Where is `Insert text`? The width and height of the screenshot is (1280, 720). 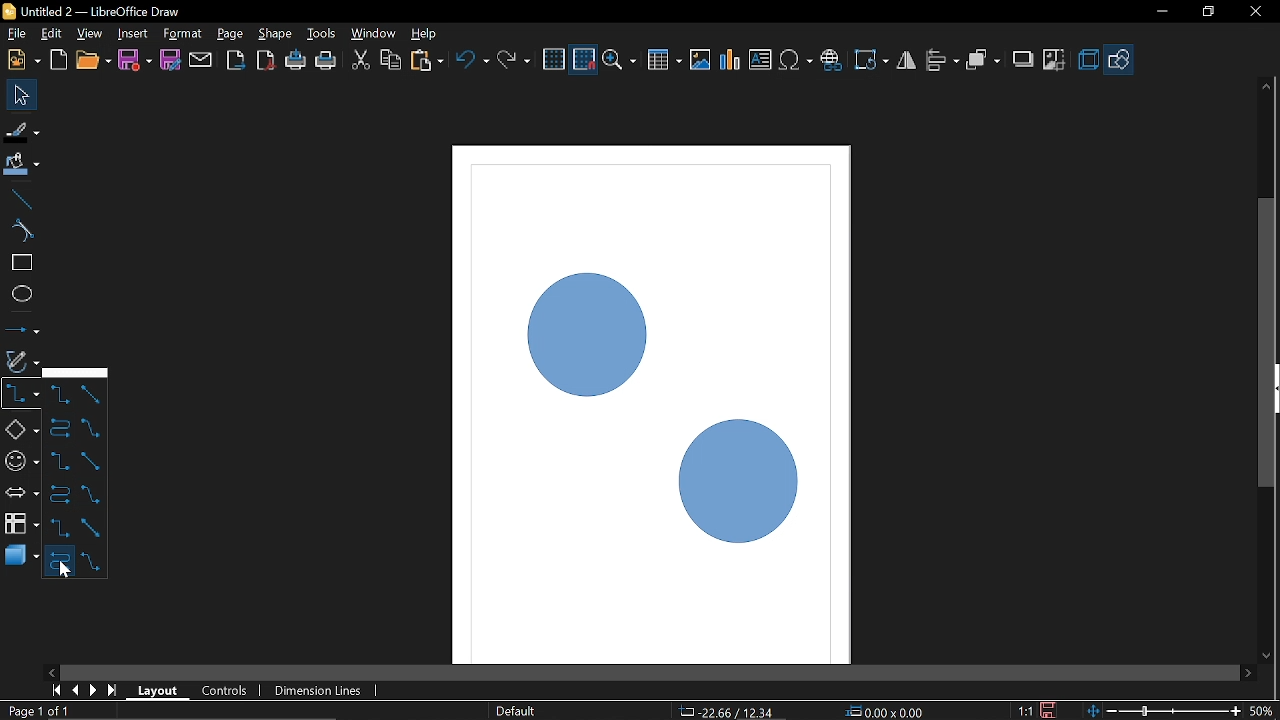
Insert text is located at coordinates (762, 61).